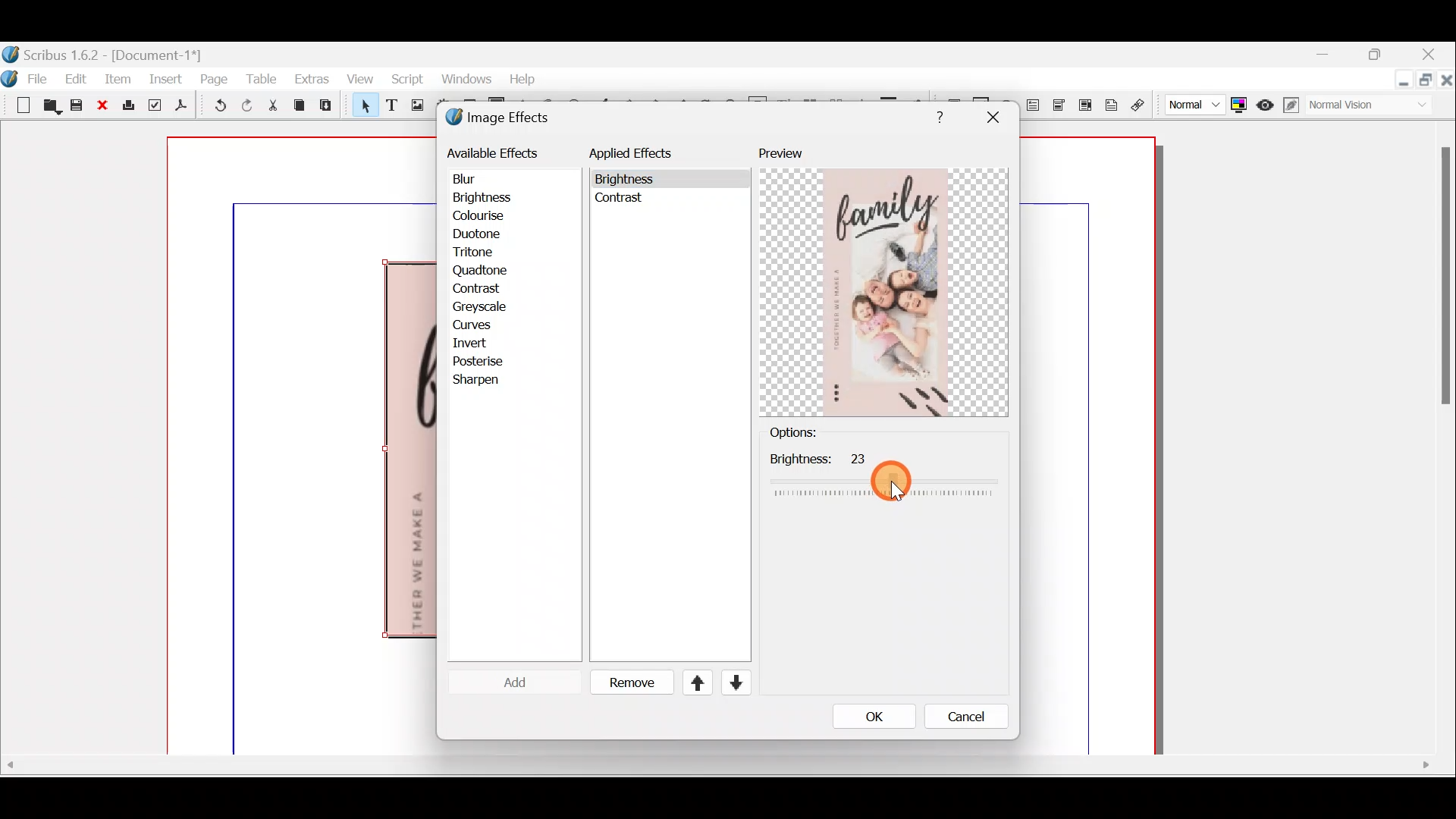 The height and width of the screenshot is (819, 1456). Describe the element at coordinates (486, 217) in the screenshot. I see `Colourise` at that location.